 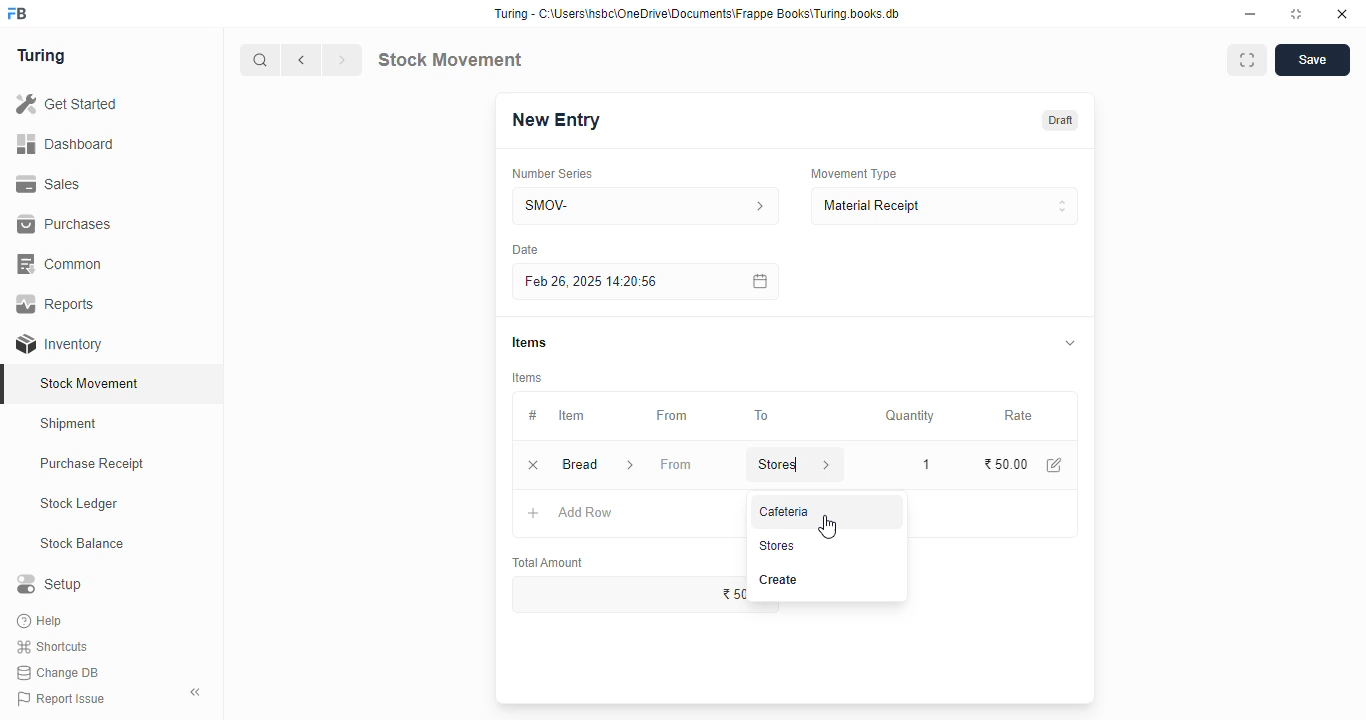 I want to click on cafeteria, so click(x=786, y=512).